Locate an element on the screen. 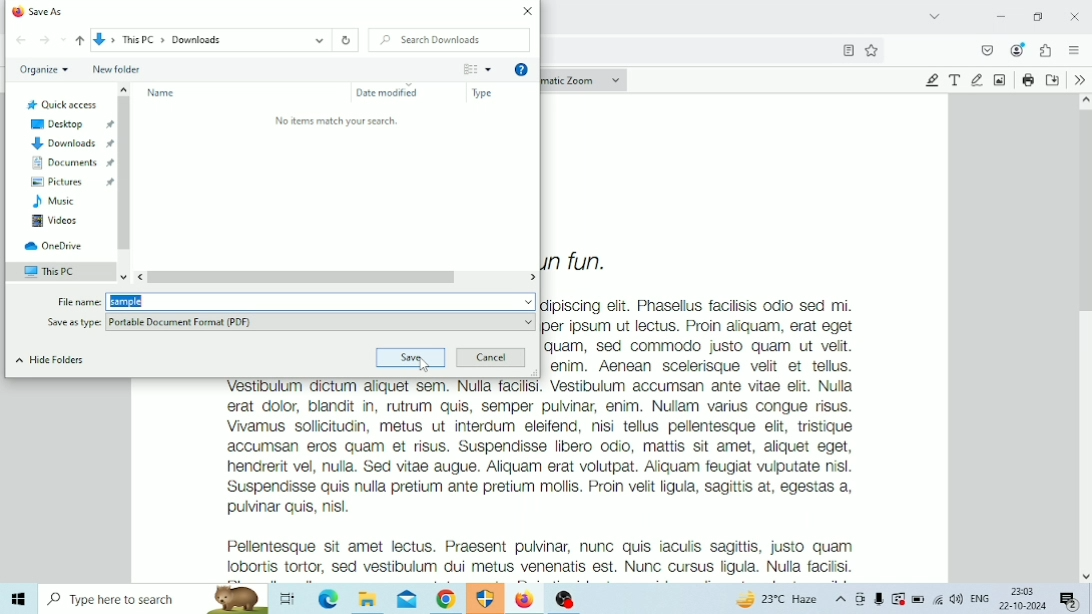 This screenshot has width=1092, height=614. Desktop is located at coordinates (66, 123).